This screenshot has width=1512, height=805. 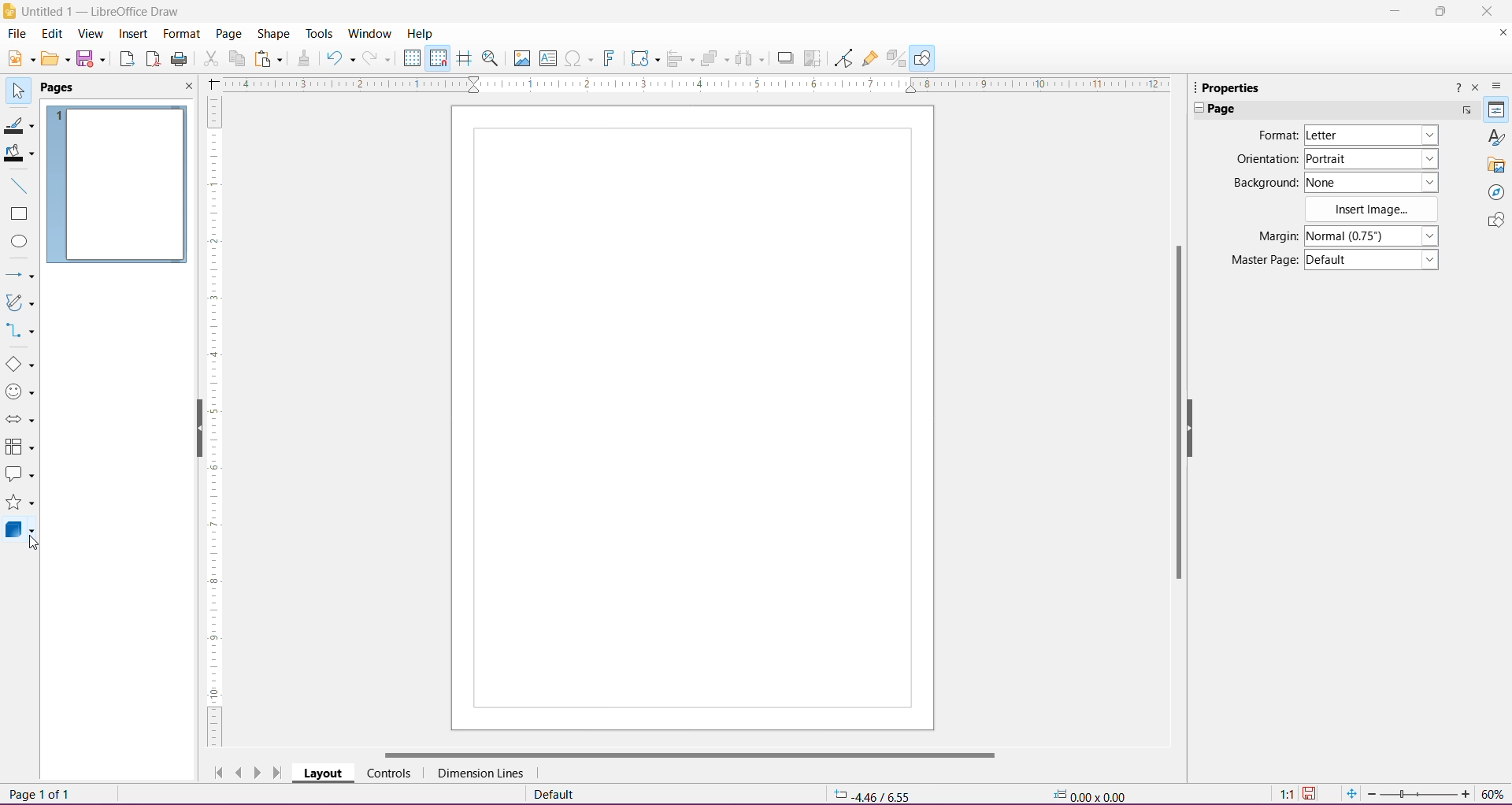 What do you see at coordinates (239, 772) in the screenshot?
I see `Scroll to previous page` at bounding box center [239, 772].